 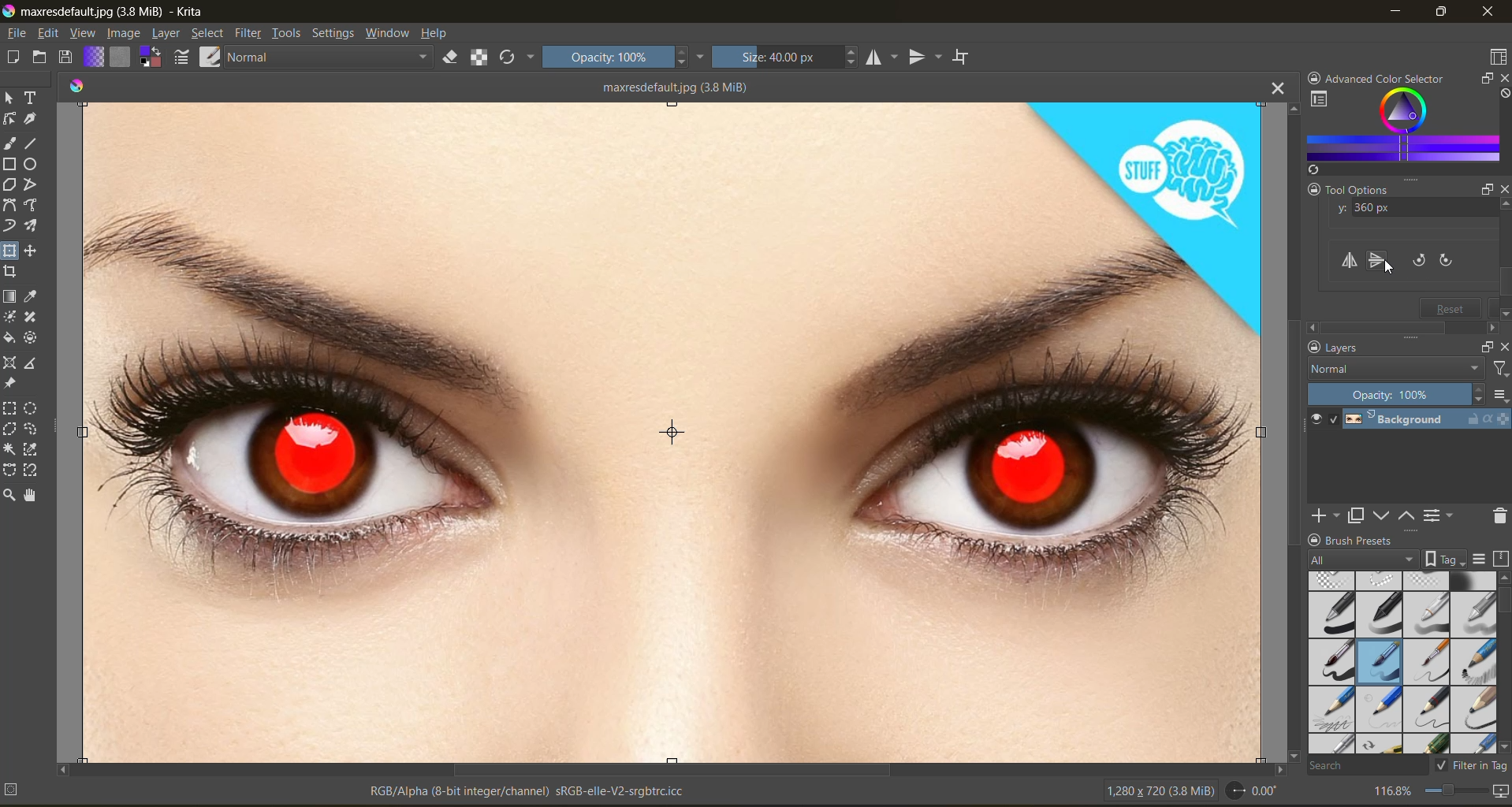 I want to click on delete mask, so click(x=1501, y=516).